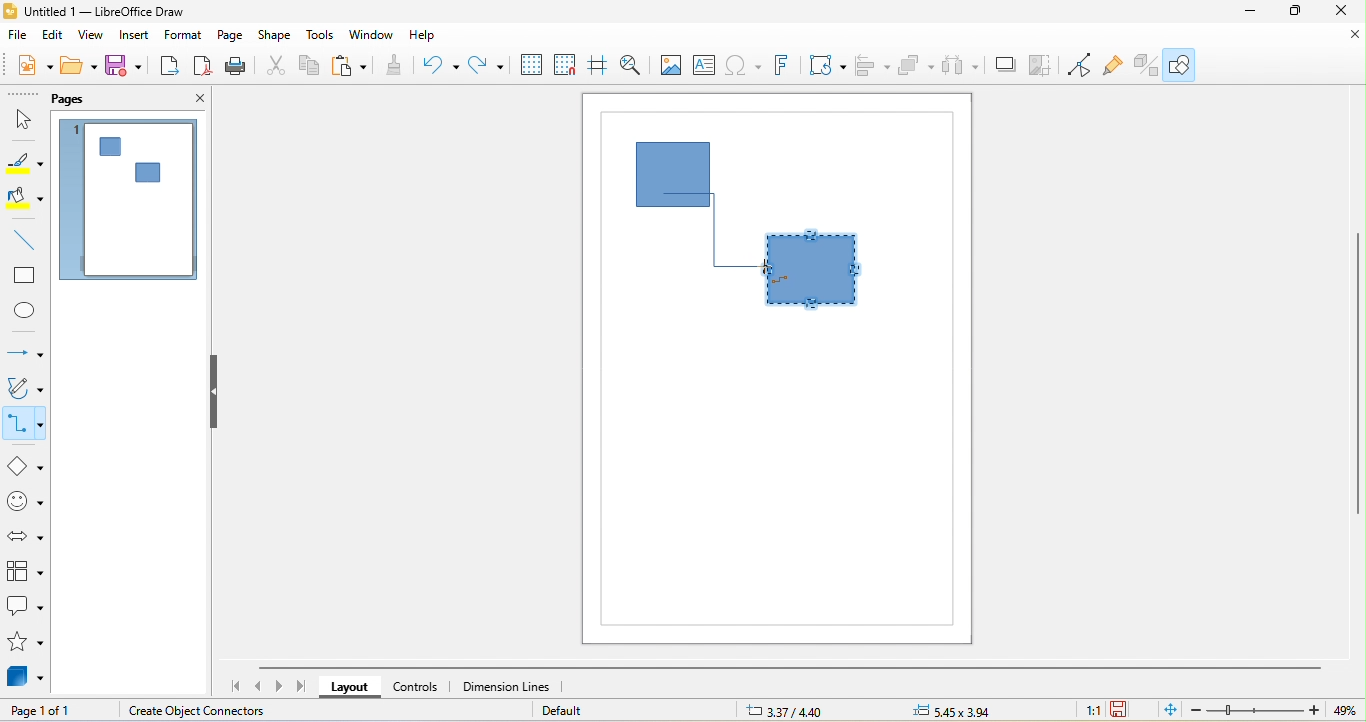 The width and height of the screenshot is (1366, 722). I want to click on format, so click(183, 36).